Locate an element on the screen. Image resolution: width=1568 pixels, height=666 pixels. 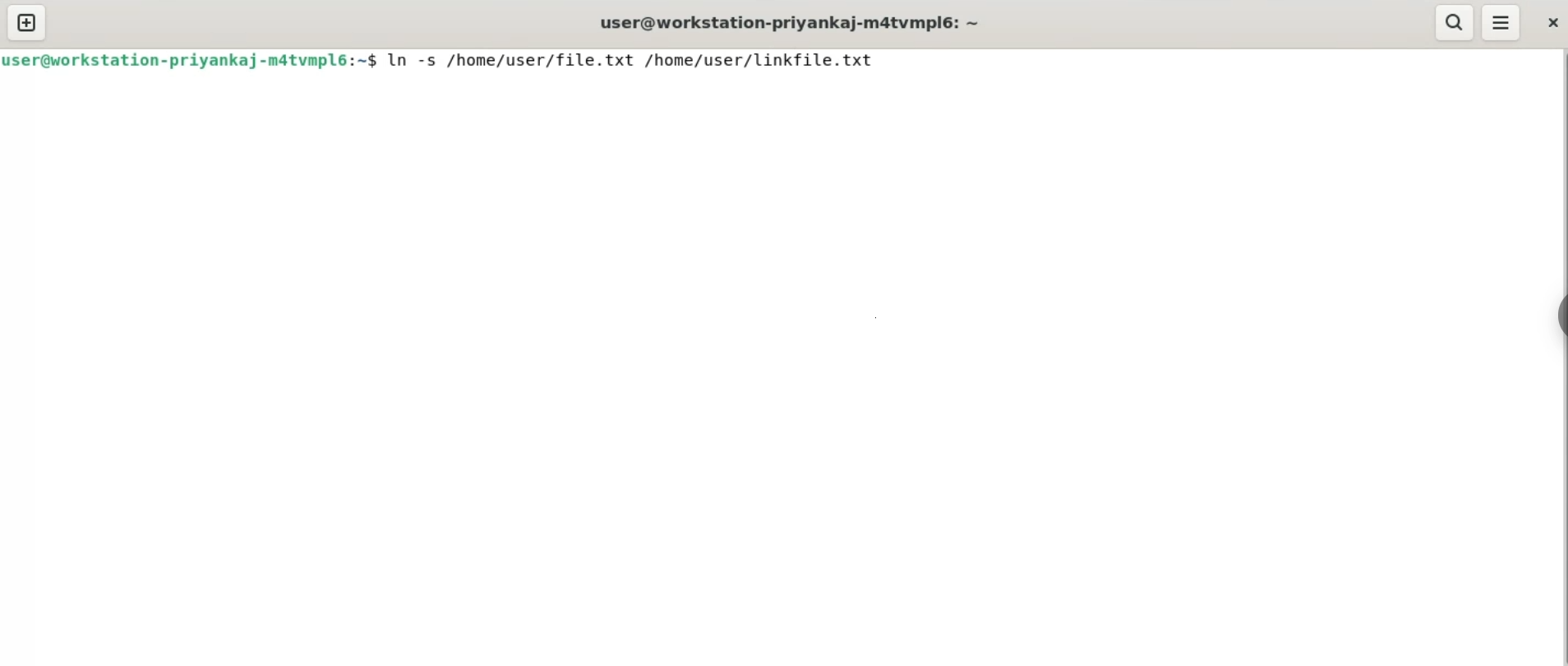
menu is located at coordinates (1502, 21).